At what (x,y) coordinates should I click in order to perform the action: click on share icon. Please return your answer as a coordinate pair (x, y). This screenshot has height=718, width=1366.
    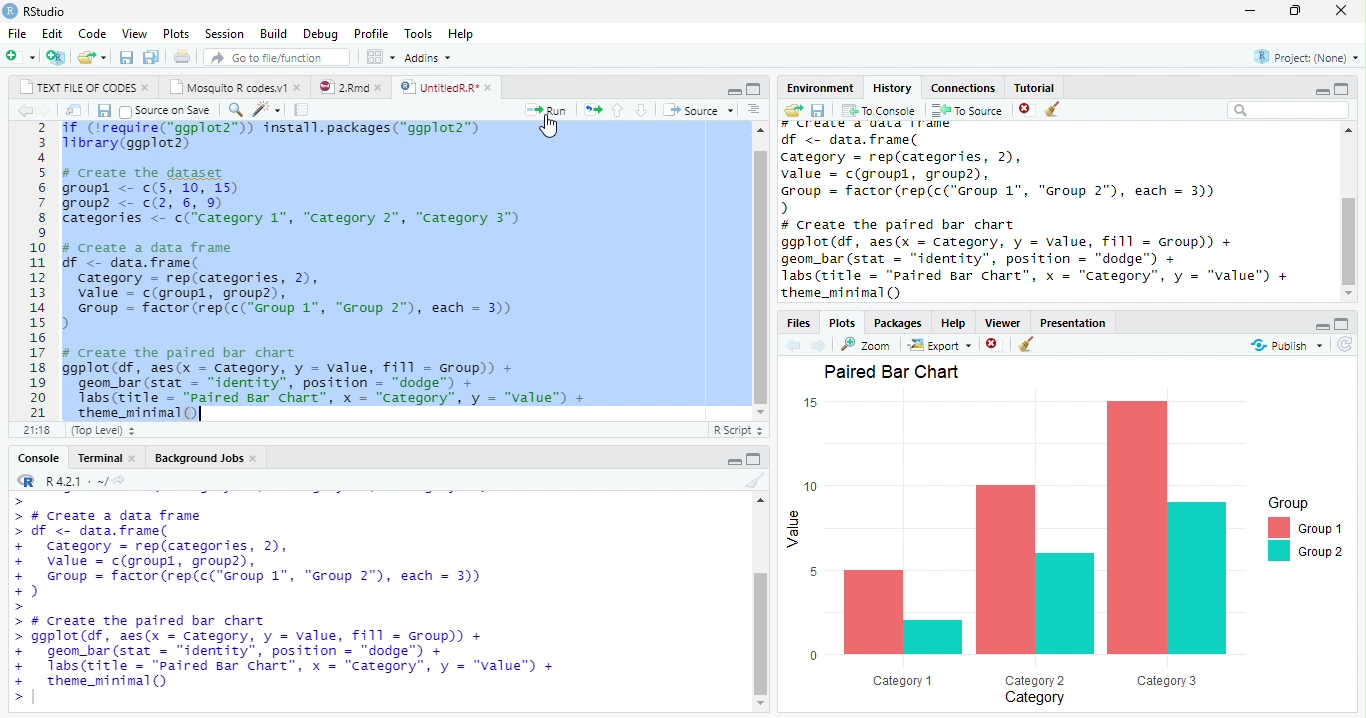
    Looking at the image, I should click on (122, 480).